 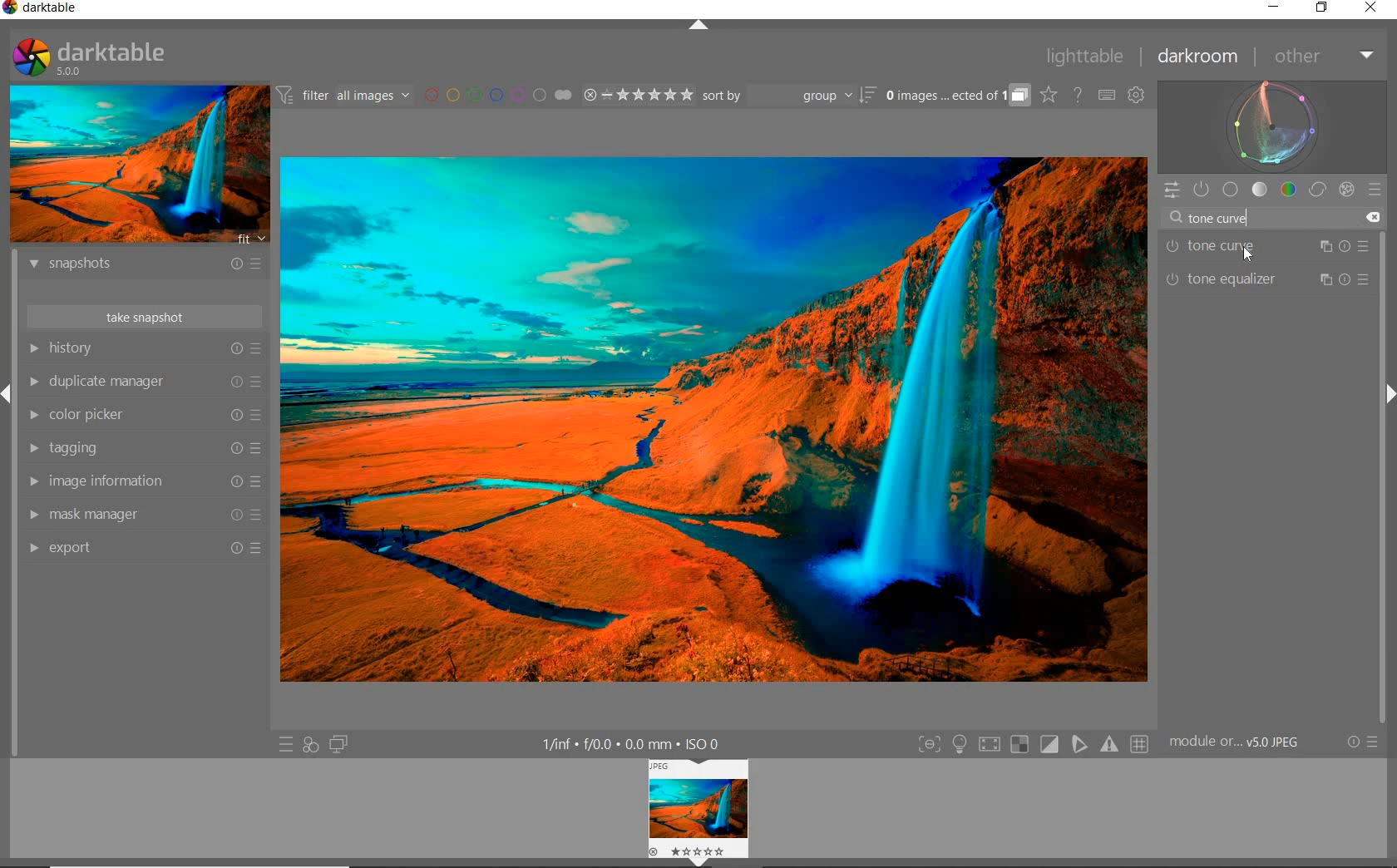 I want to click on DISPLAY A SECOND DARKROOM IMAGE WINDOW, so click(x=339, y=744).